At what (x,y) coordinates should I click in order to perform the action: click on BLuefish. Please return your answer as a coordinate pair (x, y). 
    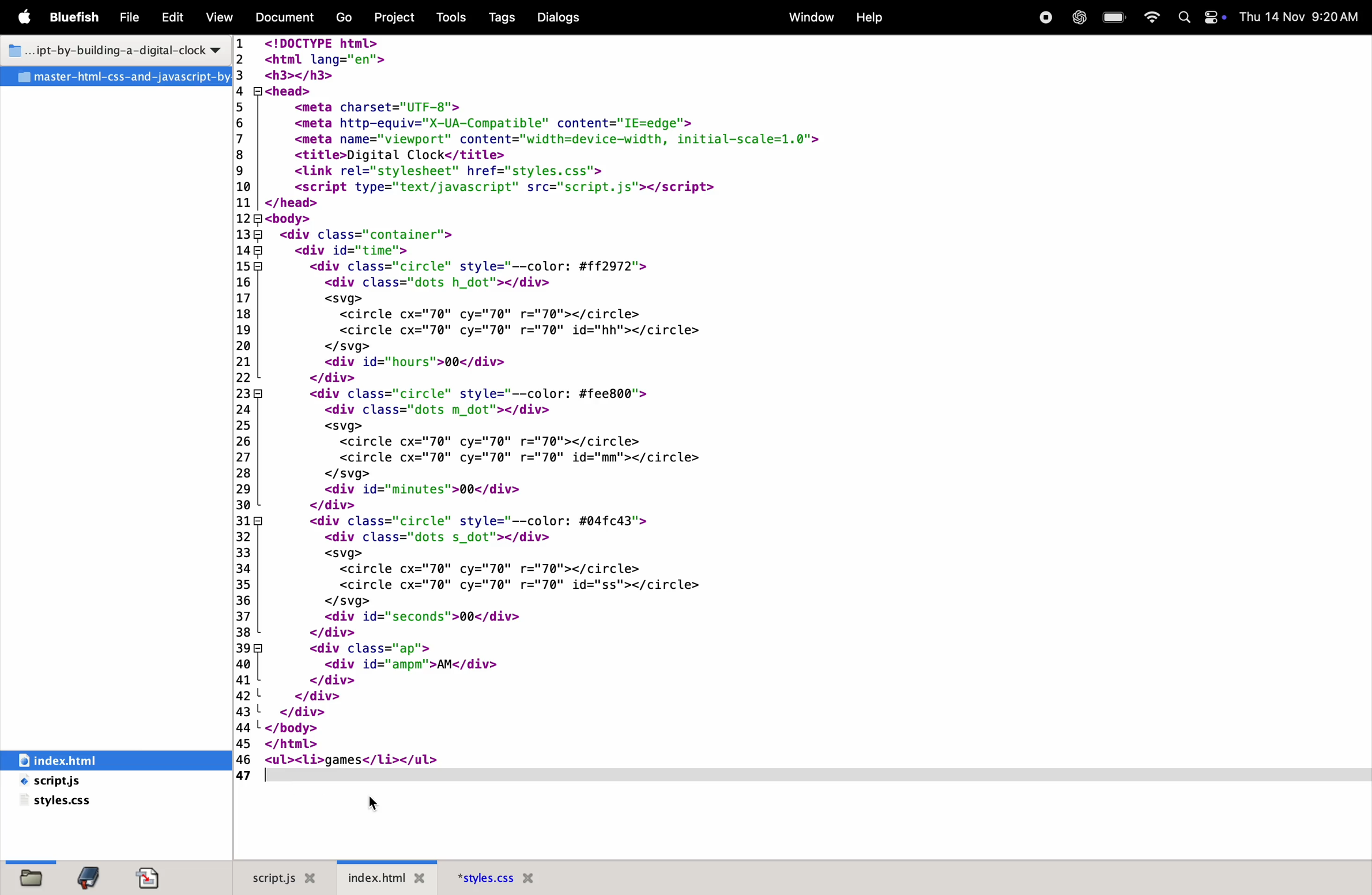
    Looking at the image, I should click on (77, 16).